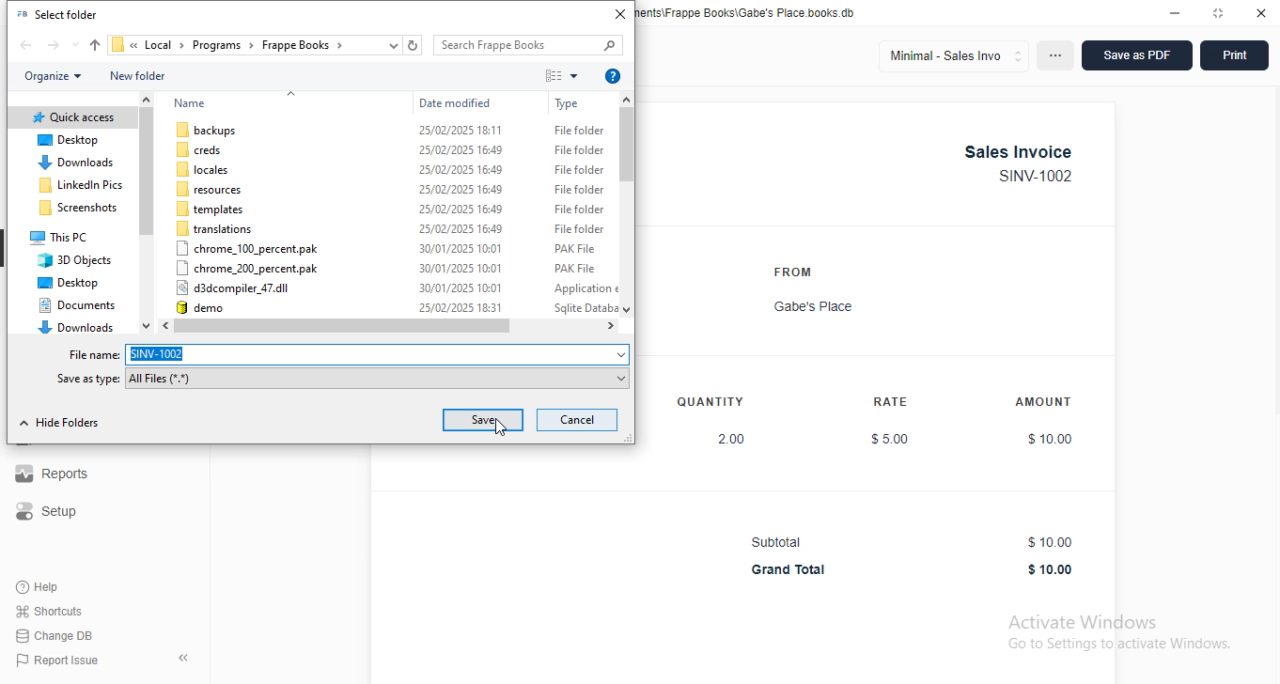 Image resolution: width=1280 pixels, height=684 pixels. What do you see at coordinates (953, 56) in the screenshot?
I see `minimal - sales invo` at bounding box center [953, 56].